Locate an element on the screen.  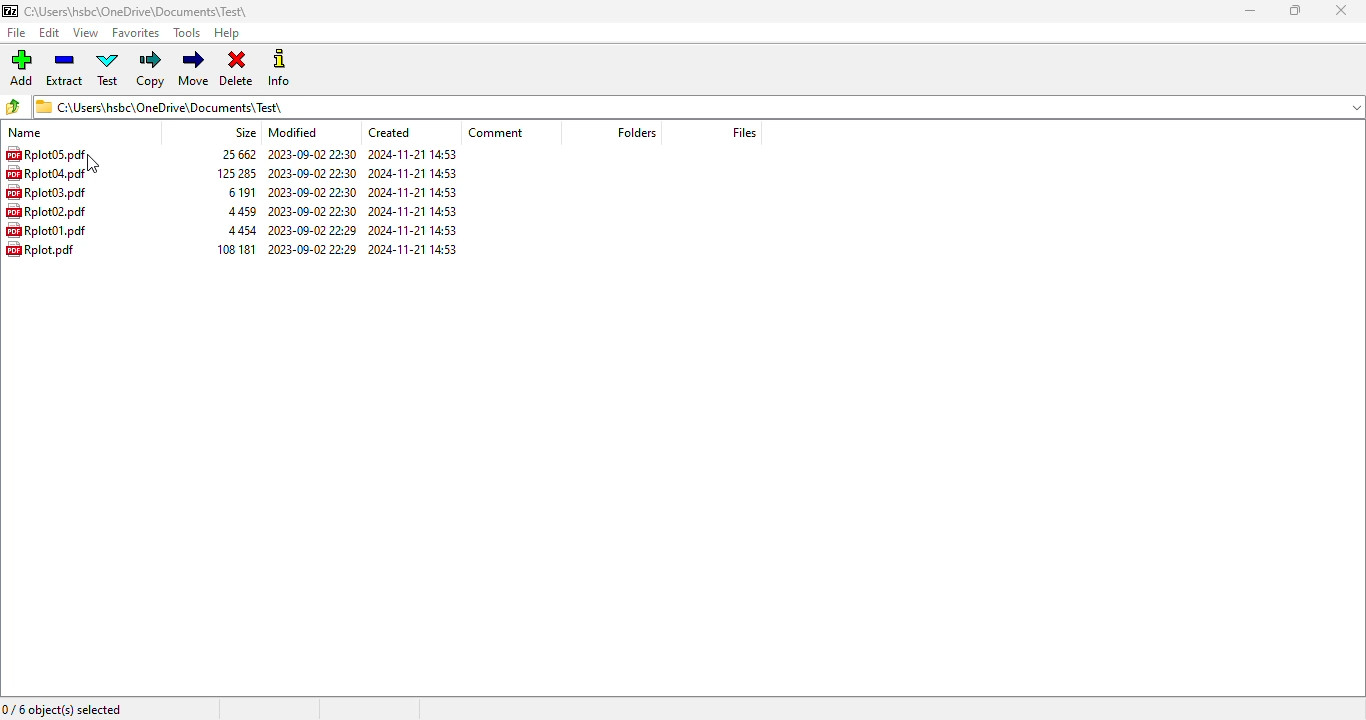
add is located at coordinates (22, 67).